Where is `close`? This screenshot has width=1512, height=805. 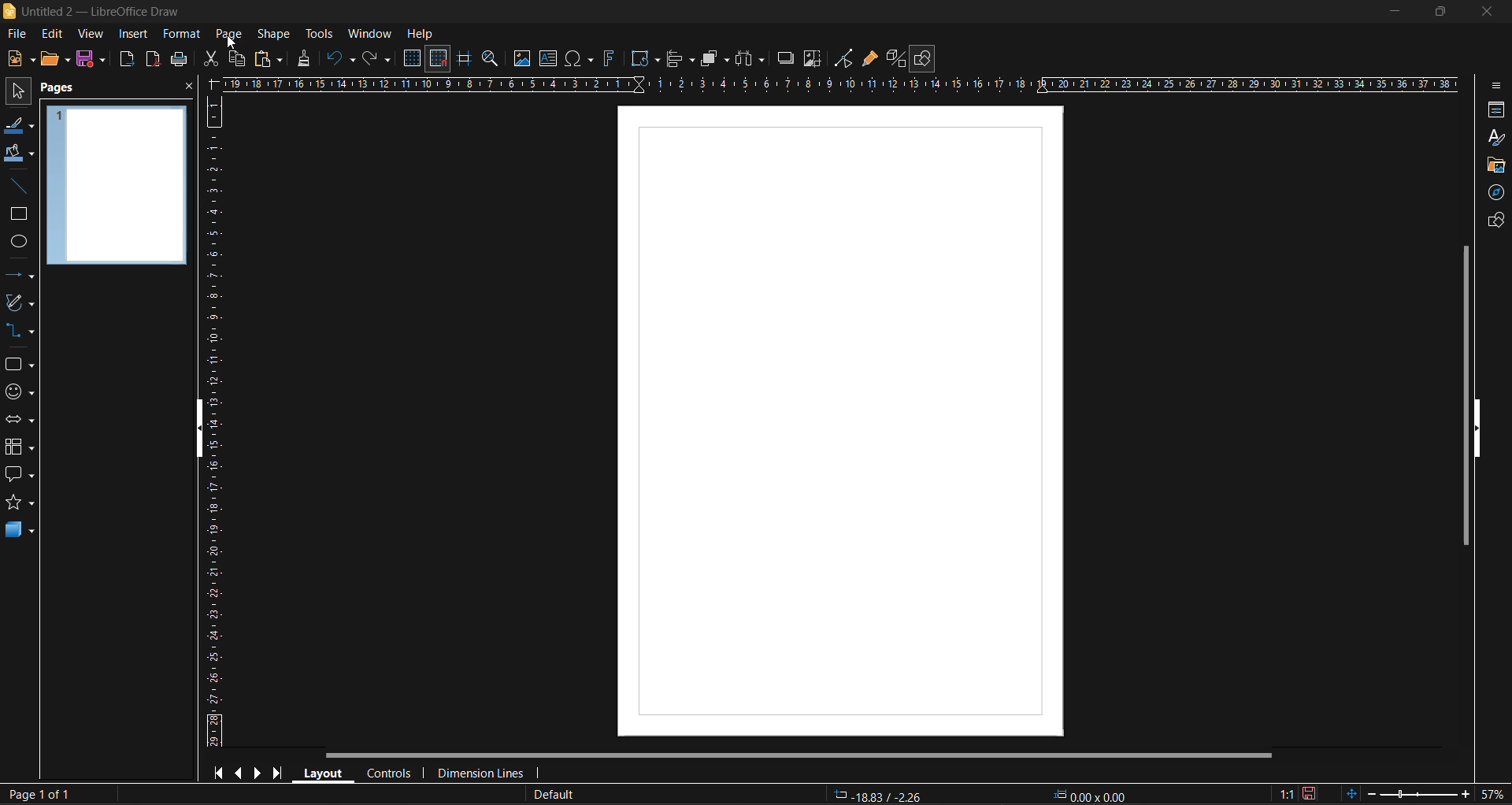
close is located at coordinates (187, 88).